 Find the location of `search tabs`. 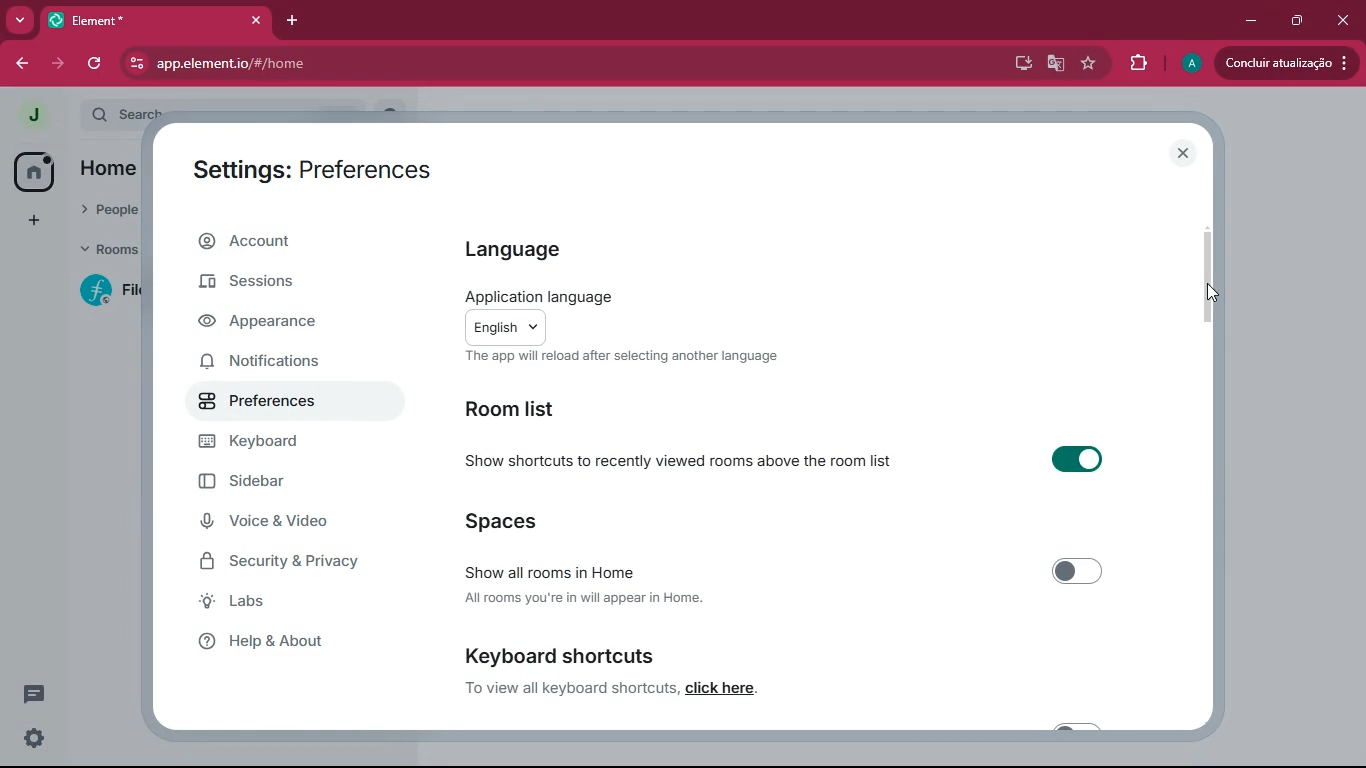

search tabs is located at coordinates (20, 21).